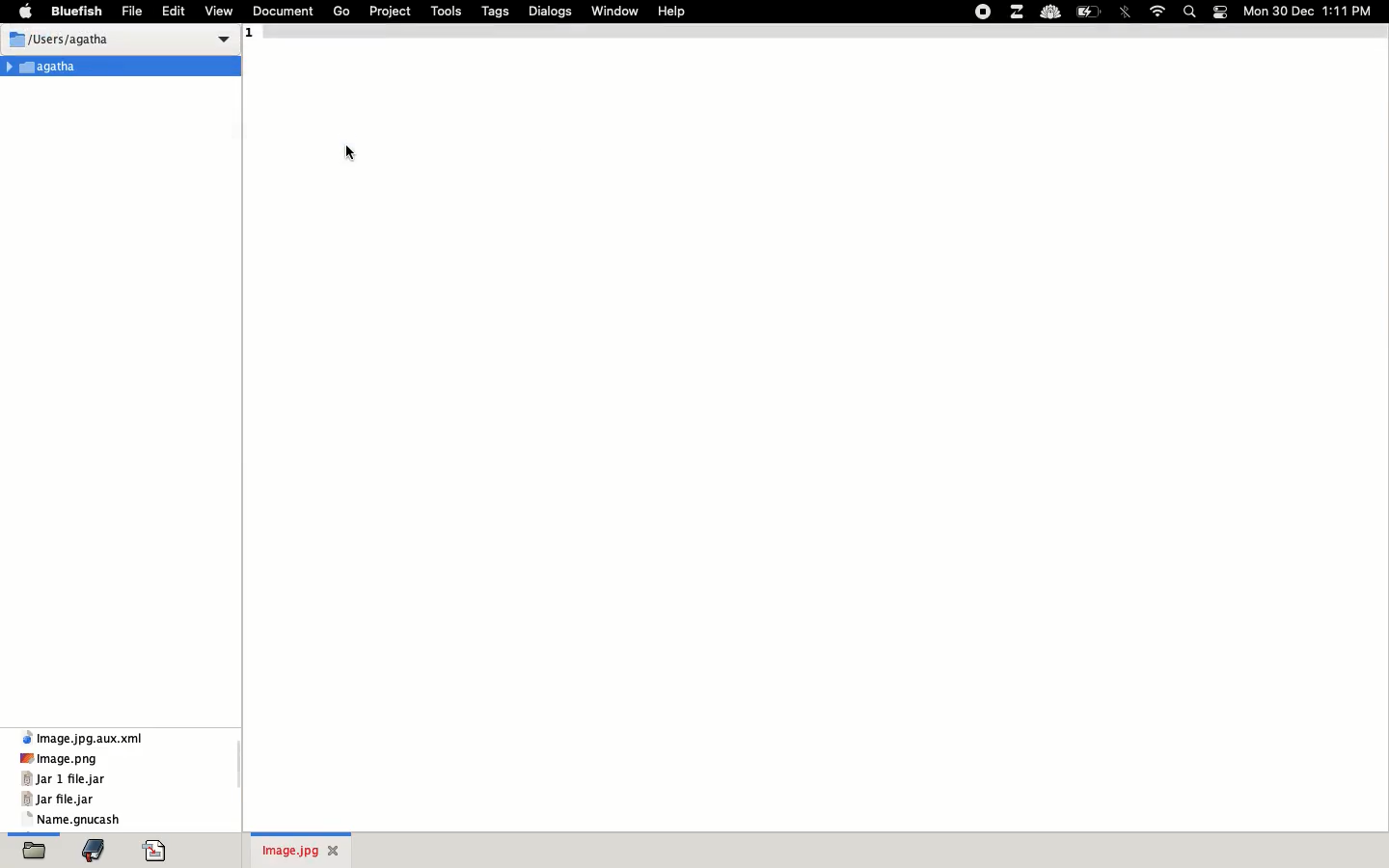  Describe the element at coordinates (446, 12) in the screenshot. I see `tools` at that location.